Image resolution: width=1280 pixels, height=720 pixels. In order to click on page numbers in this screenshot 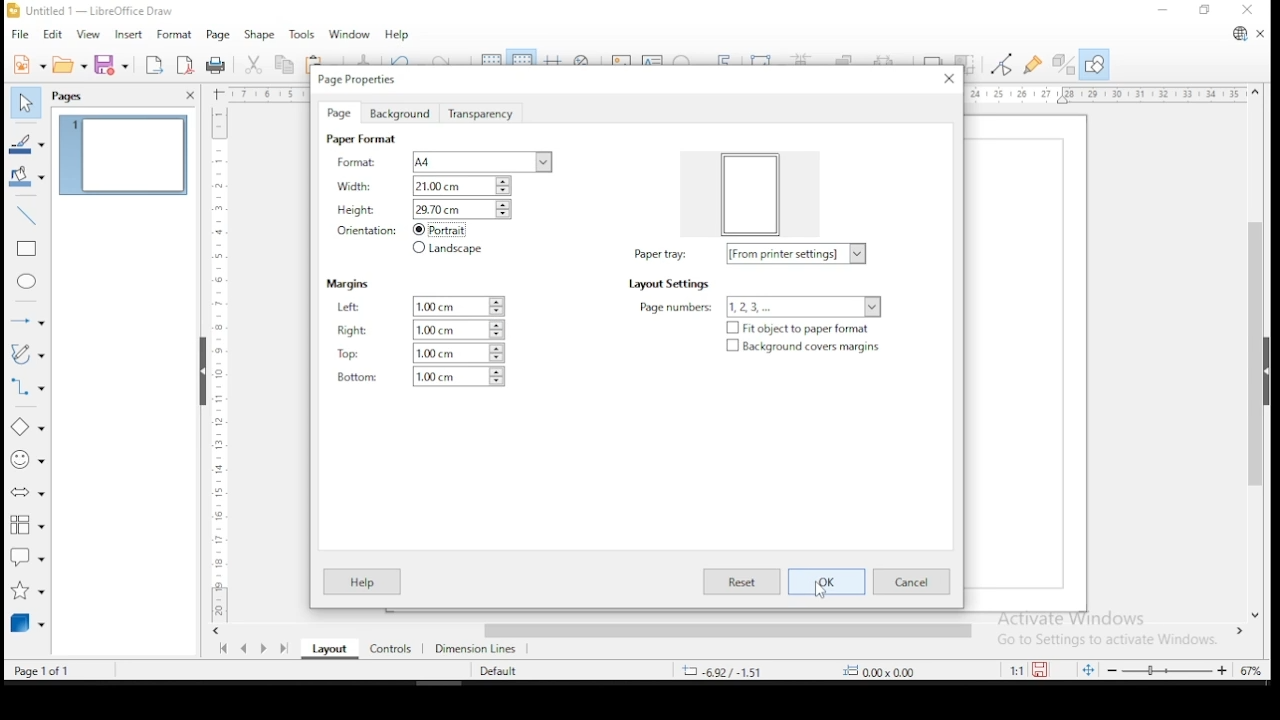, I will do `click(759, 305)`.